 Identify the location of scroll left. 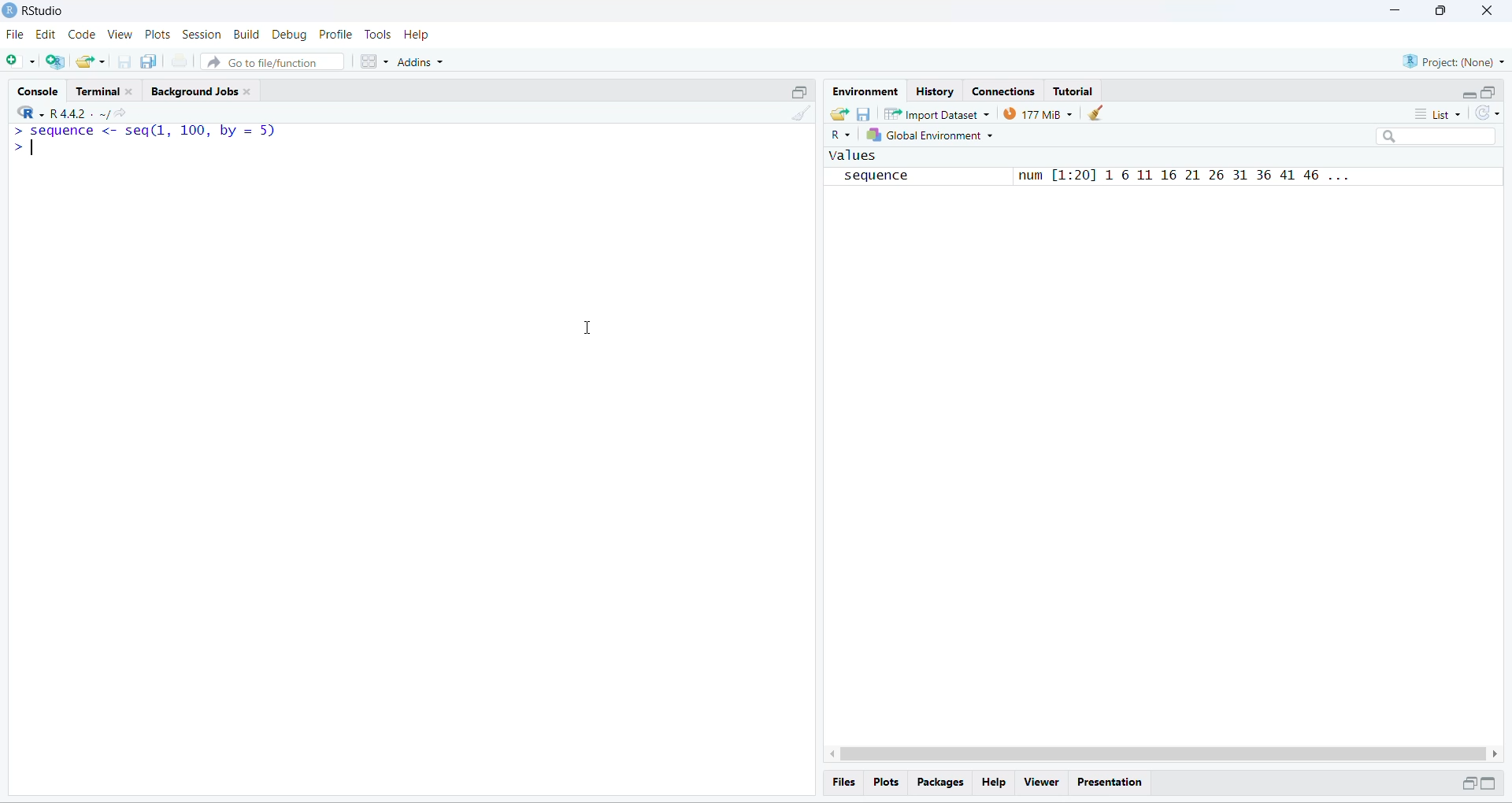
(829, 753).